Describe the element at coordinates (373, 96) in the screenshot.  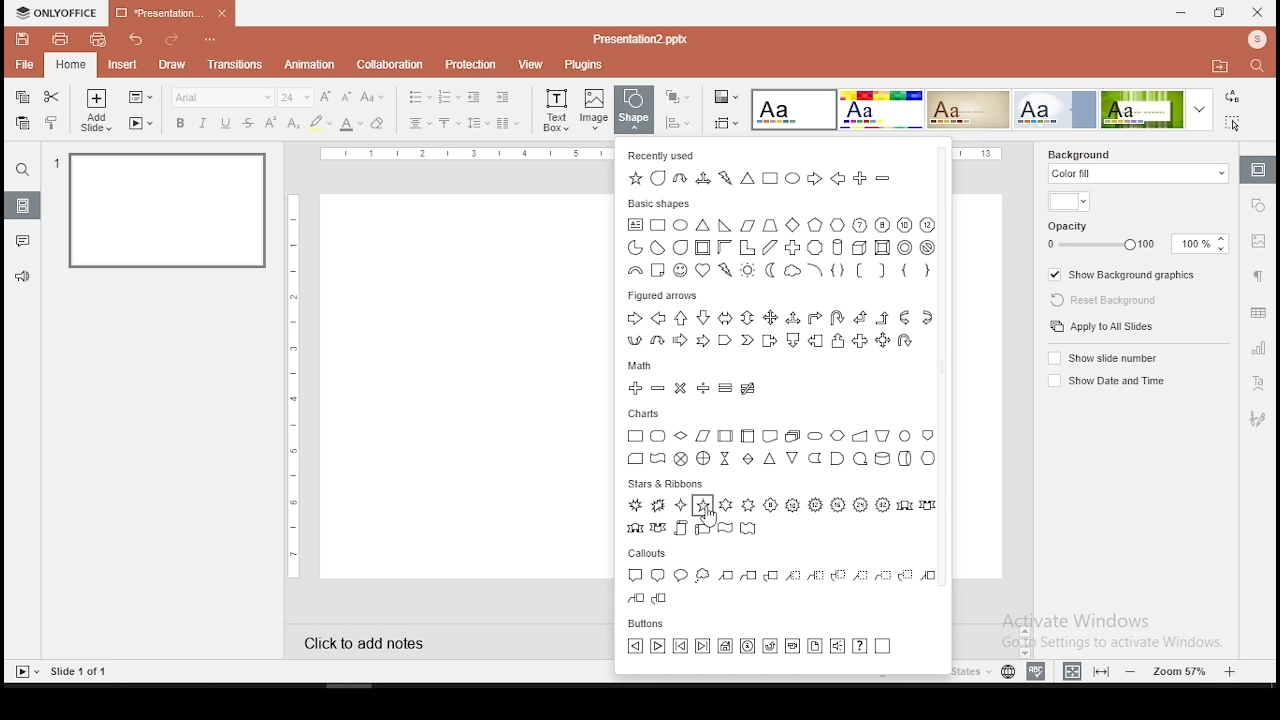
I see `change case` at that location.